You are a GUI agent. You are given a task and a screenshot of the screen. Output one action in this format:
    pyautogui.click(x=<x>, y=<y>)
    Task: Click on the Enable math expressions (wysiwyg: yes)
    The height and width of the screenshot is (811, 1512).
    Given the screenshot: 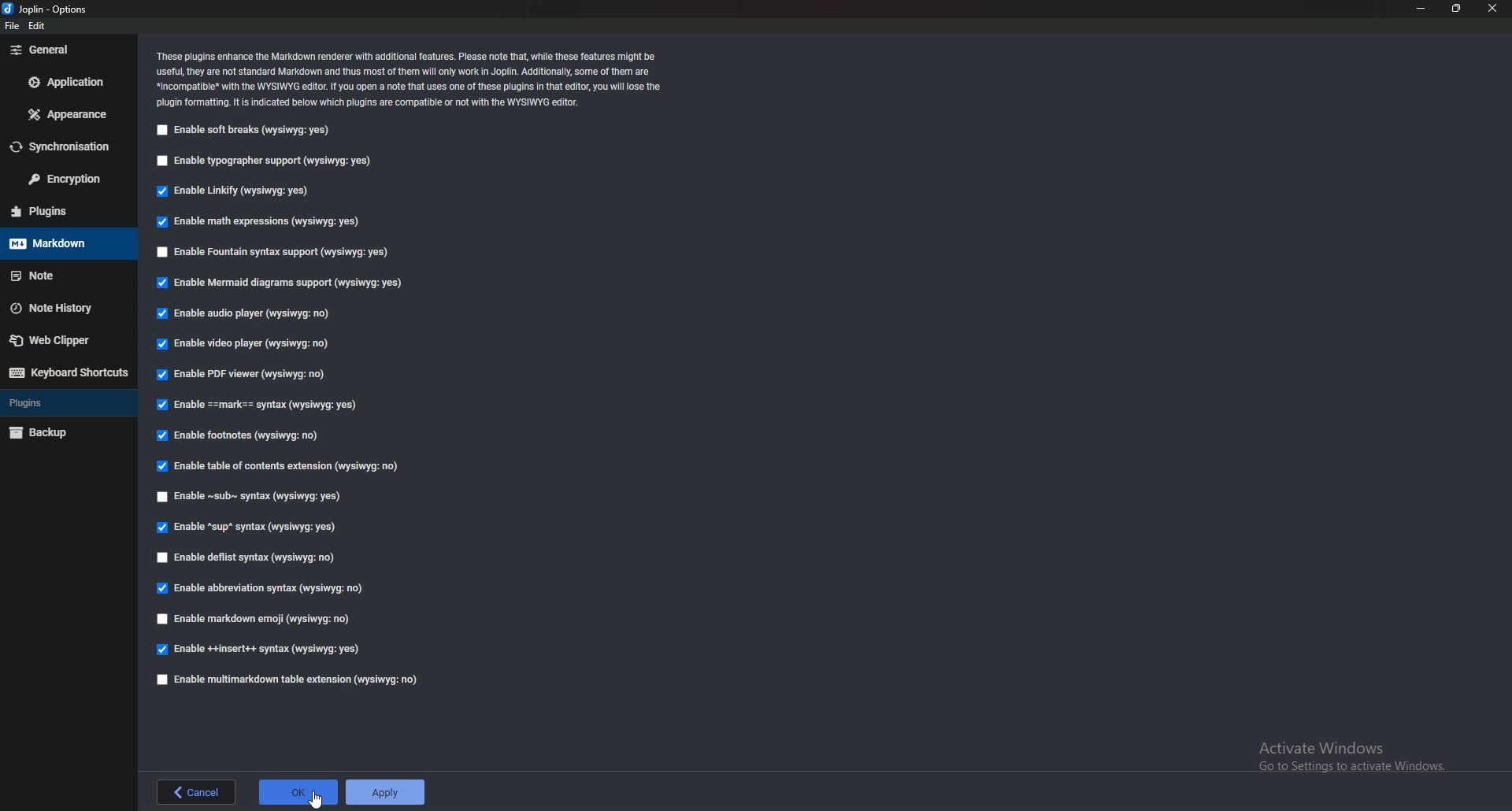 What is the action you would take?
    pyautogui.click(x=261, y=221)
    